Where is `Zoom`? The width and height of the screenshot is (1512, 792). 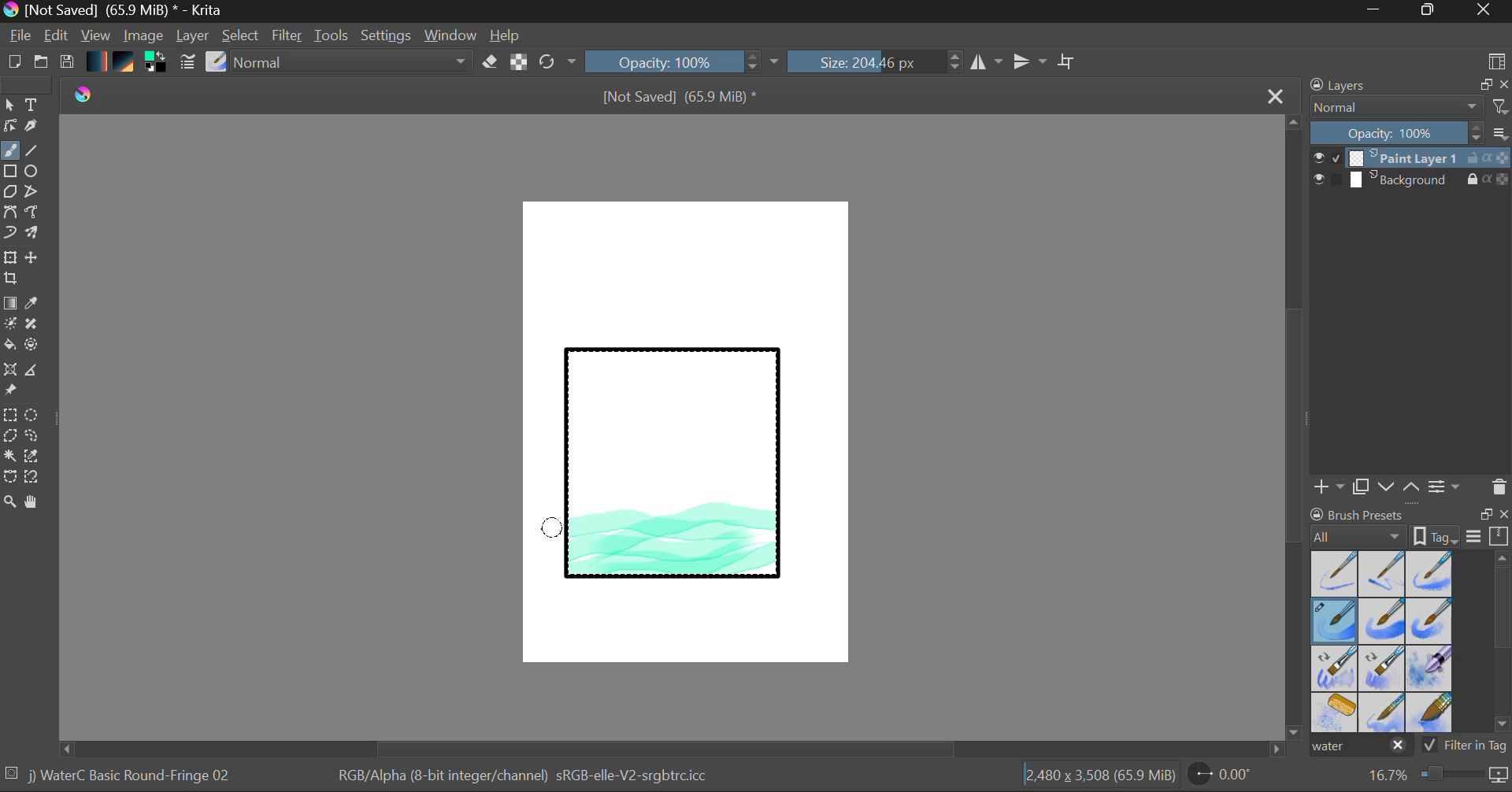 Zoom is located at coordinates (1436, 775).